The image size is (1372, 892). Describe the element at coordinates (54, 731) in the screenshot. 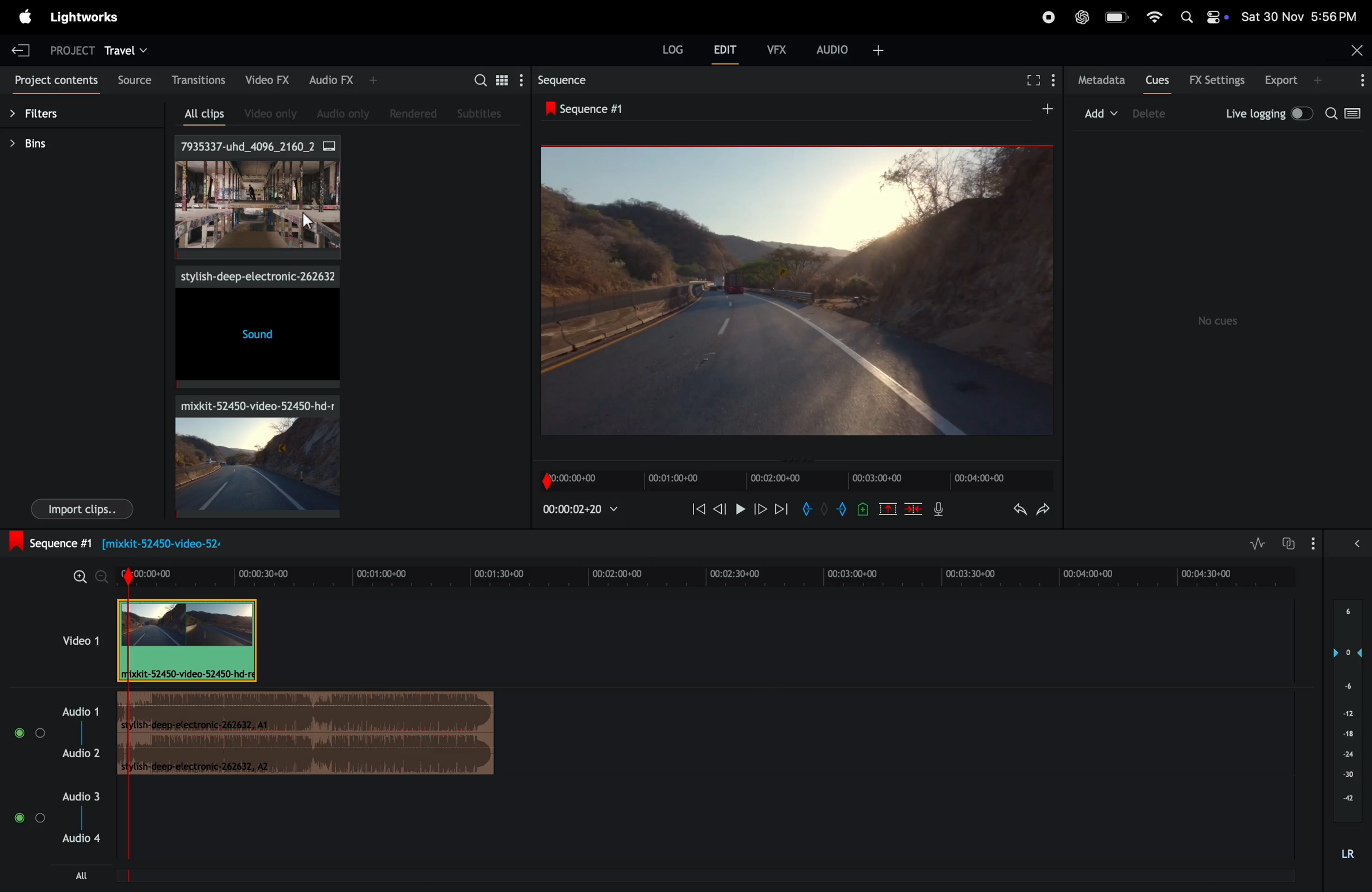

I see `audio 1` at that location.